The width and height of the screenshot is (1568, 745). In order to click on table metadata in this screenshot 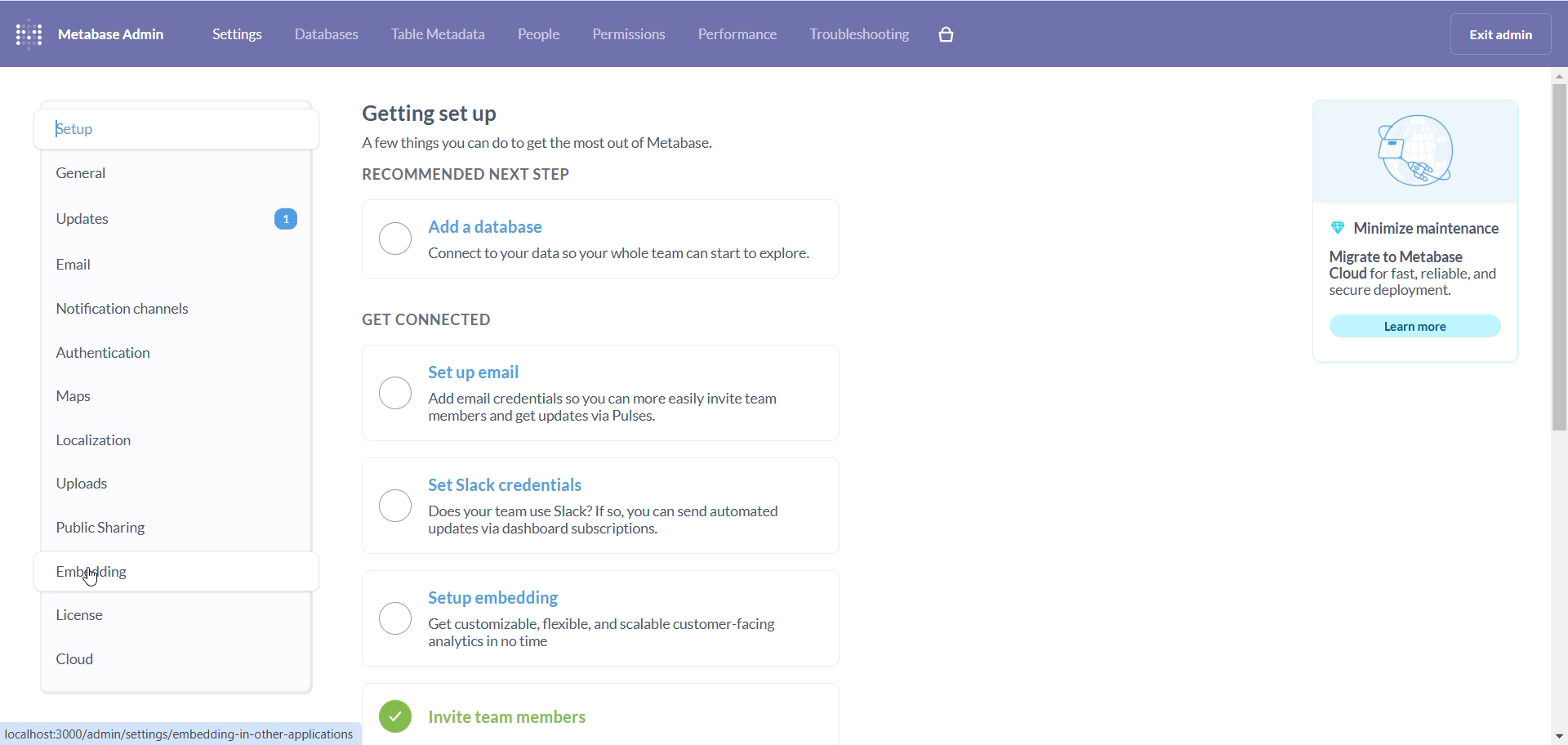, I will do `click(434, 33)`.